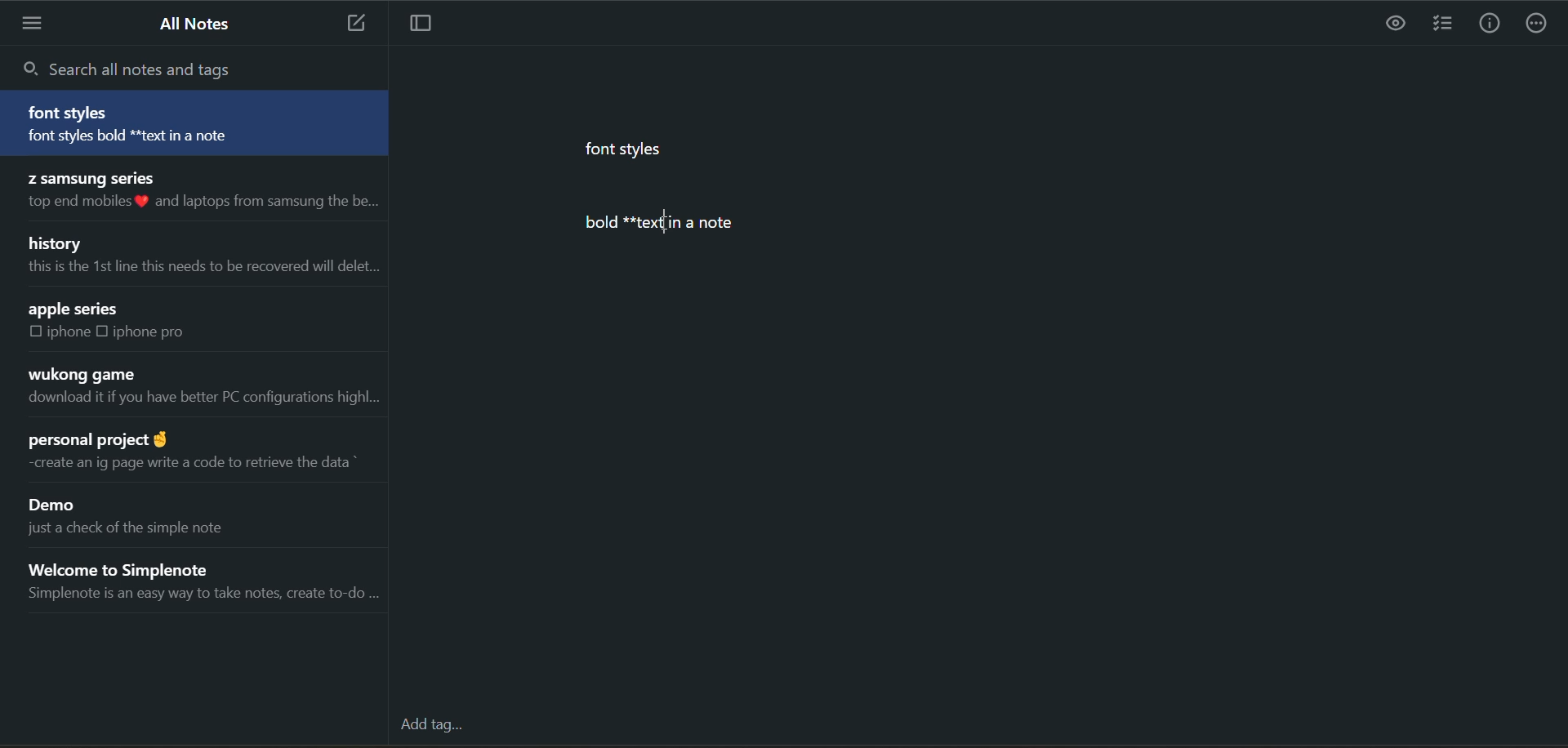 The width and height of the screenshot is (1568, 748). I want to click on Simplenote is an easy way to take notes, create to-do ..., so click(202, 597).